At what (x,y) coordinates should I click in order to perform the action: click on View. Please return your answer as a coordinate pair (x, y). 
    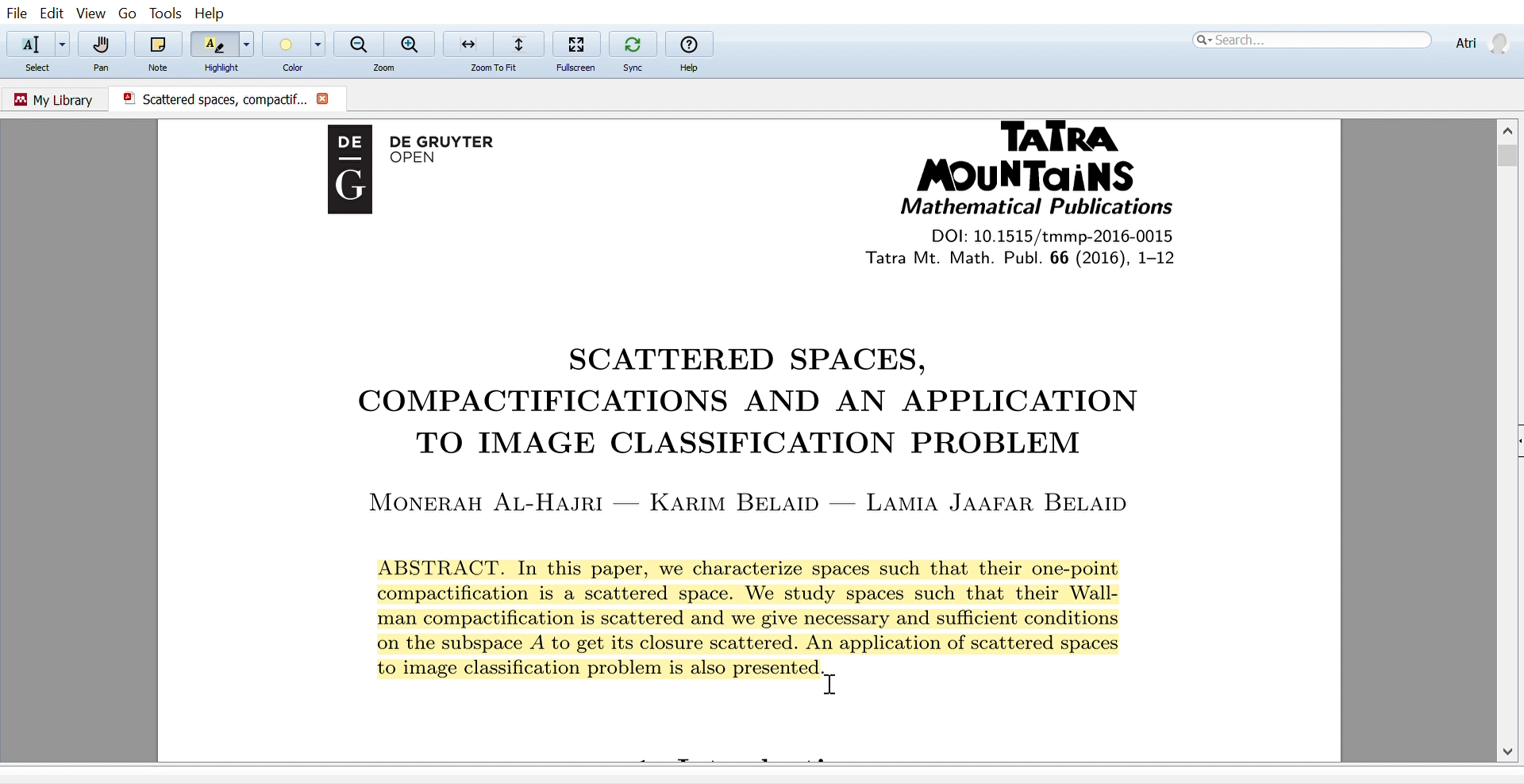
    Looking at the image, I should click on (92, 14).